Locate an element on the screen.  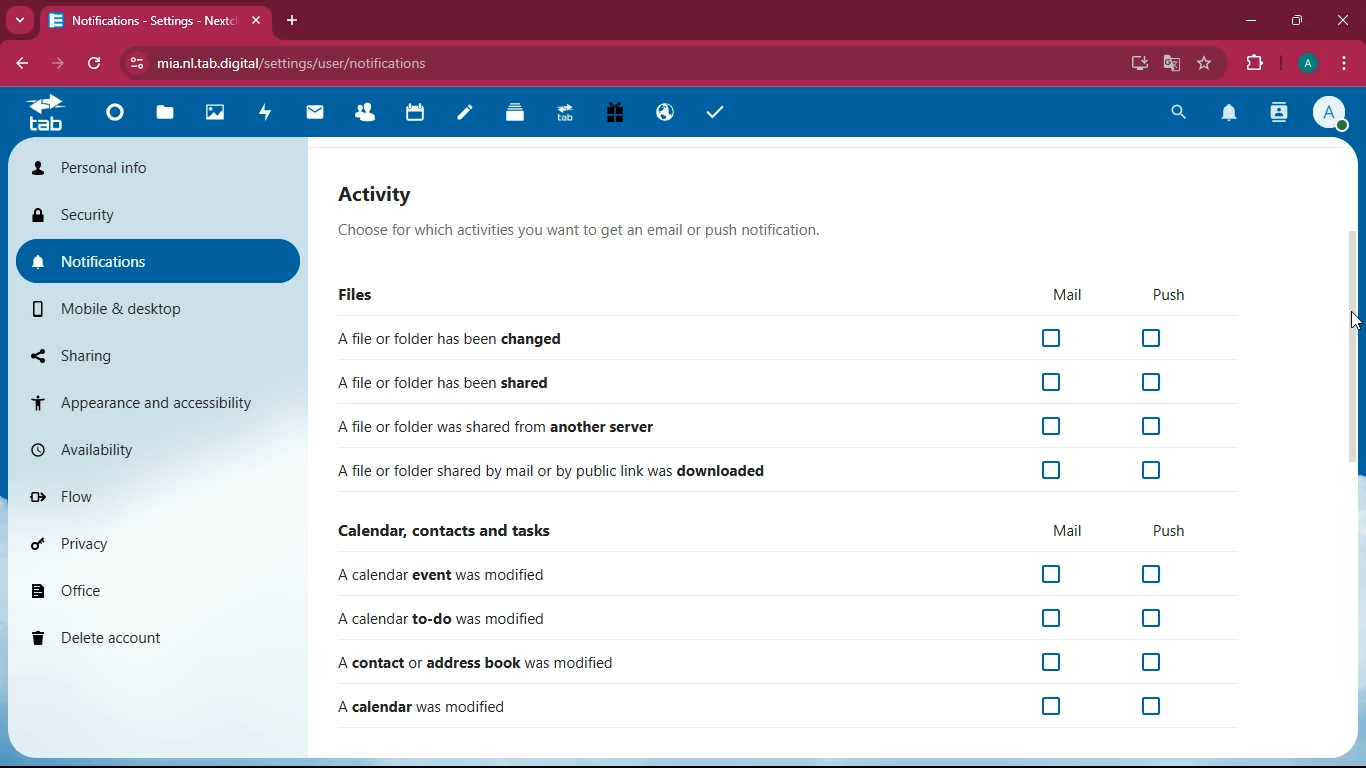
A contact or address book was modified is located at coordinates (756, 665).